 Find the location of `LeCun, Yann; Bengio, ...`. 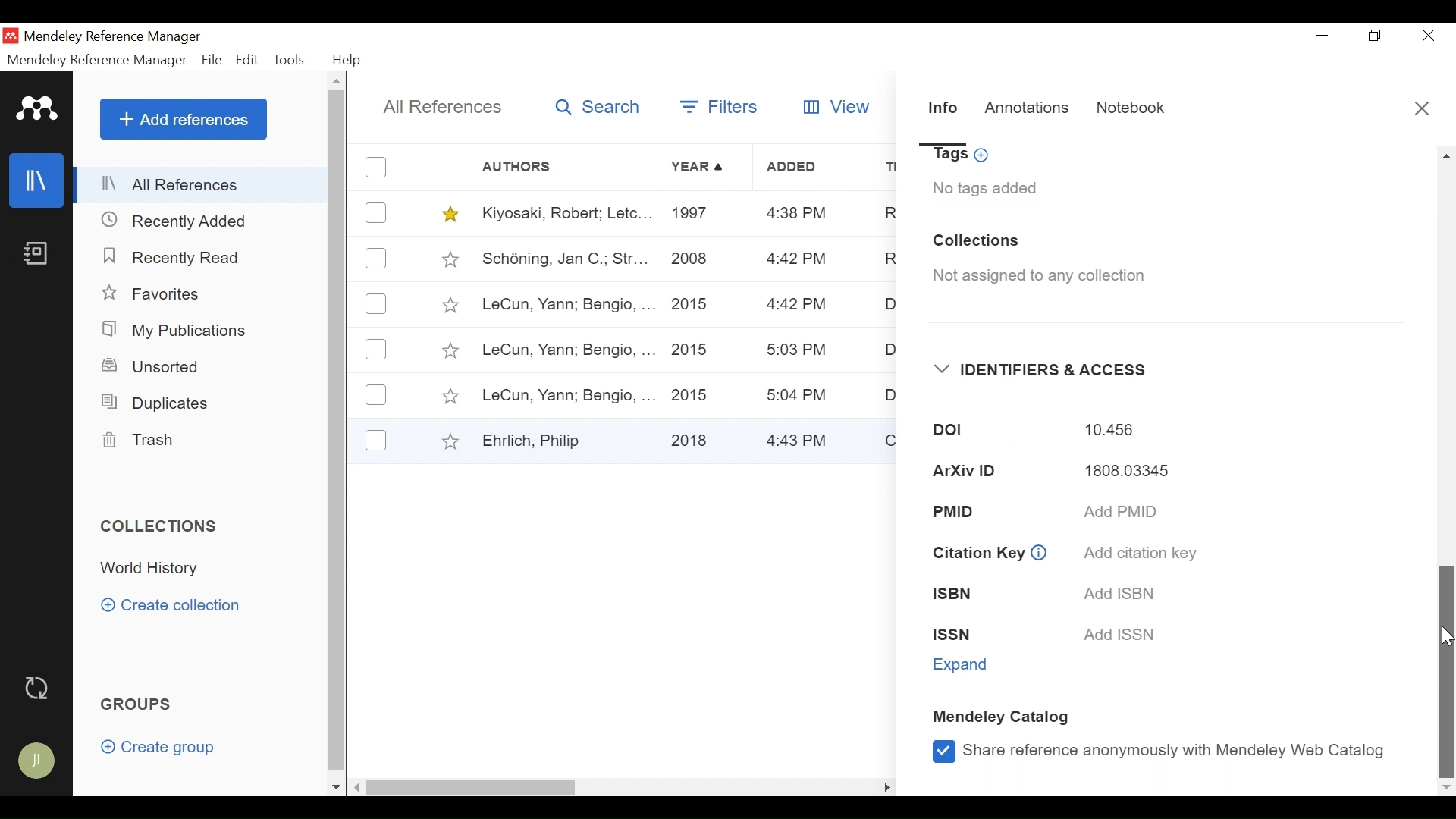

LeCun, Yann; Bengio, ... is located at coordinates (566, 350).